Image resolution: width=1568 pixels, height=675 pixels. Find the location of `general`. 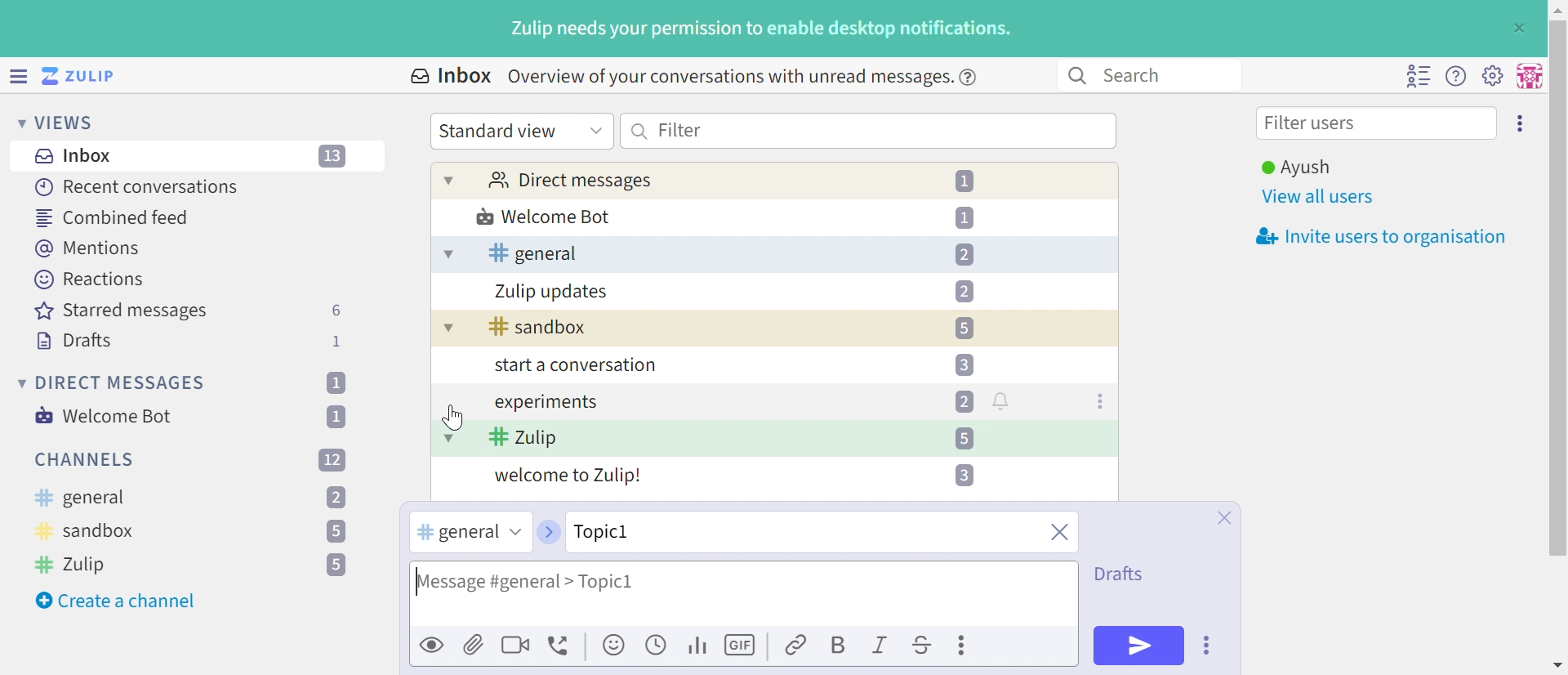

general is located at coordinates (79, 498).